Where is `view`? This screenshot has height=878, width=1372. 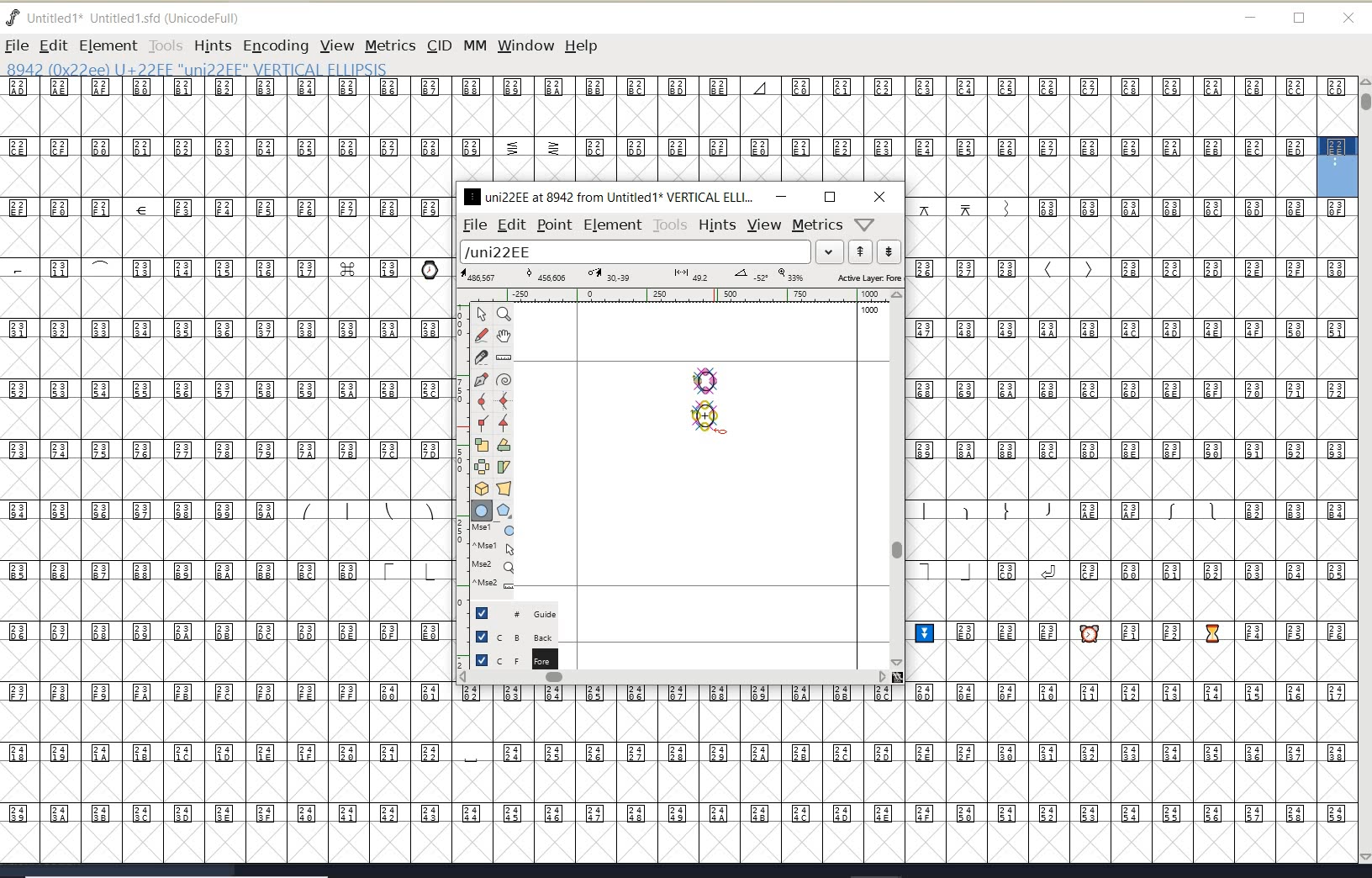
view is located at coordinates (764, 225).